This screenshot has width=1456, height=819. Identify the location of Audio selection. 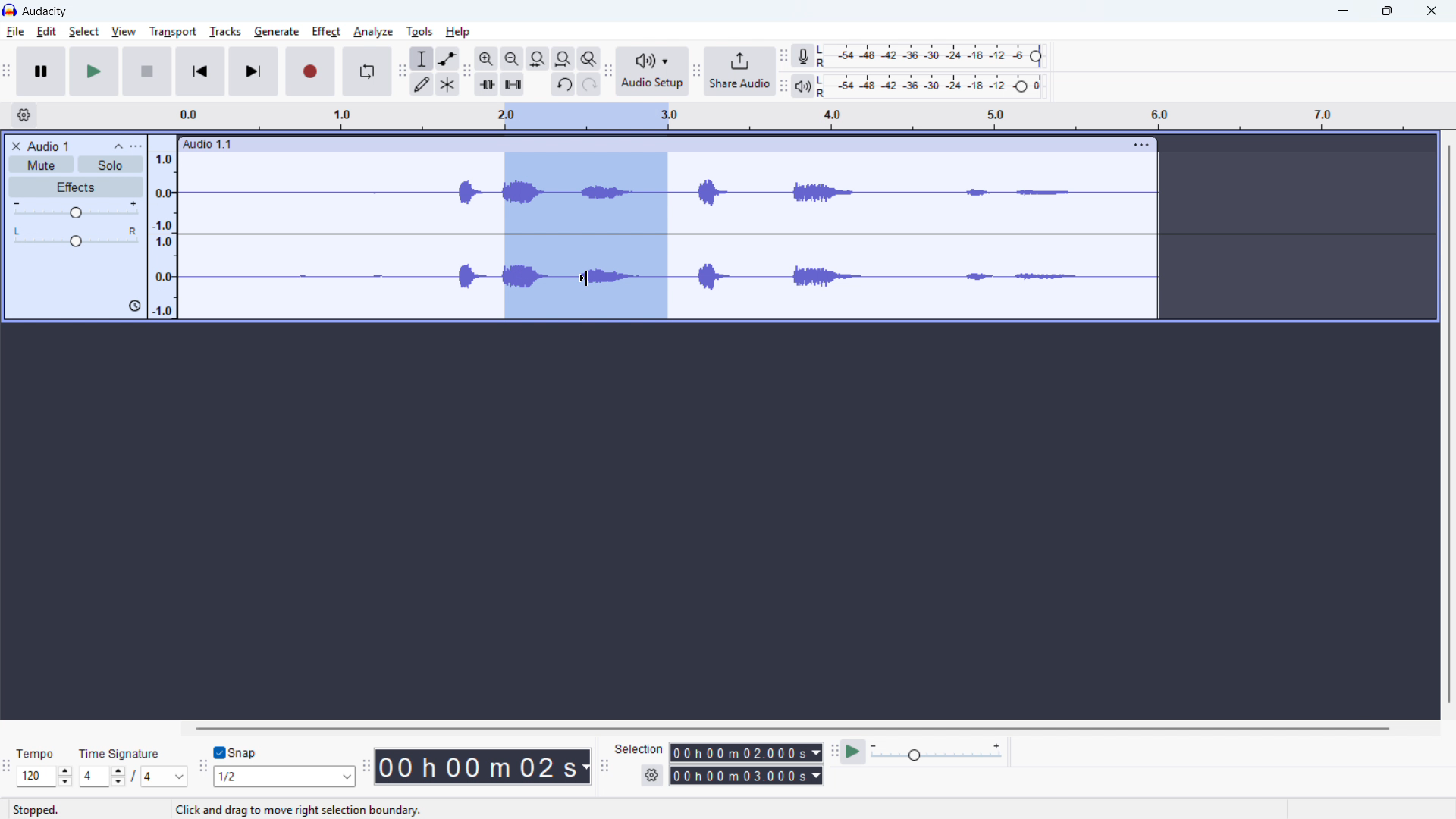
(585, 237).